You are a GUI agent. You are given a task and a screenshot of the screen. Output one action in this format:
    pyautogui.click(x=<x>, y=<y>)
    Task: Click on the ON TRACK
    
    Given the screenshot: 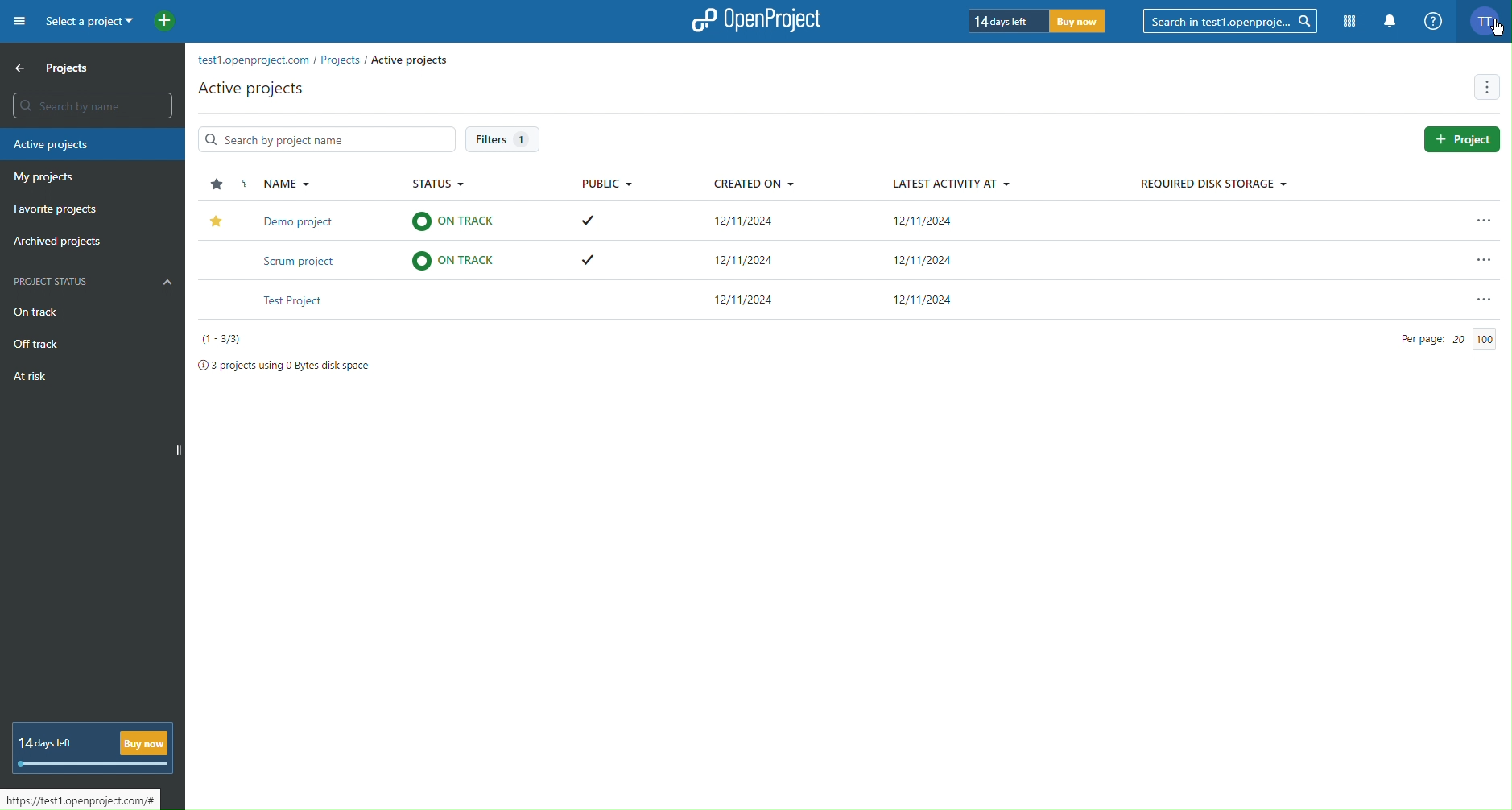 What is the action you would take?
    pyautogui.click(x=455, y=222)
    